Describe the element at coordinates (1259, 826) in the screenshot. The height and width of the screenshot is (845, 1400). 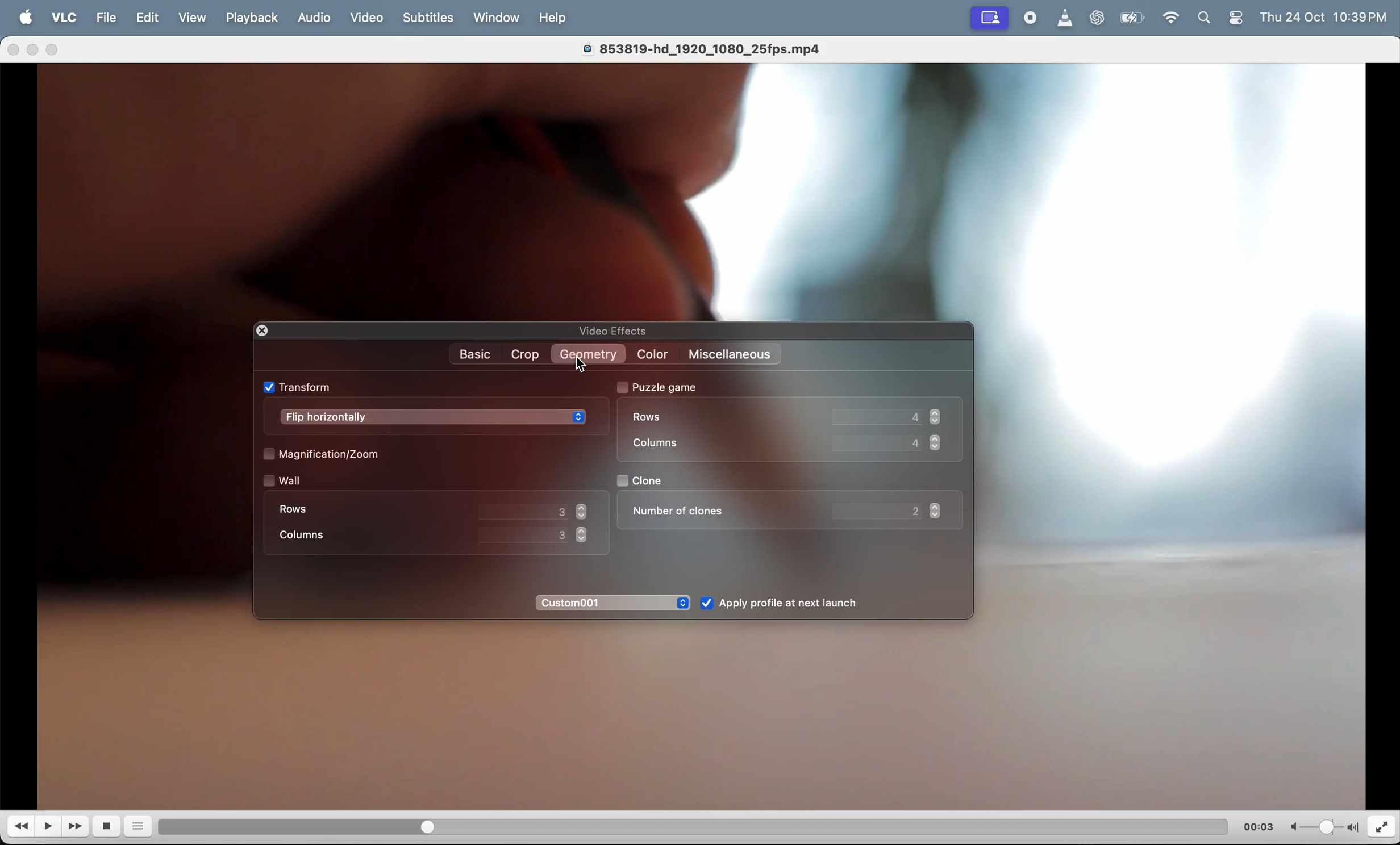
I see `time` at that location.